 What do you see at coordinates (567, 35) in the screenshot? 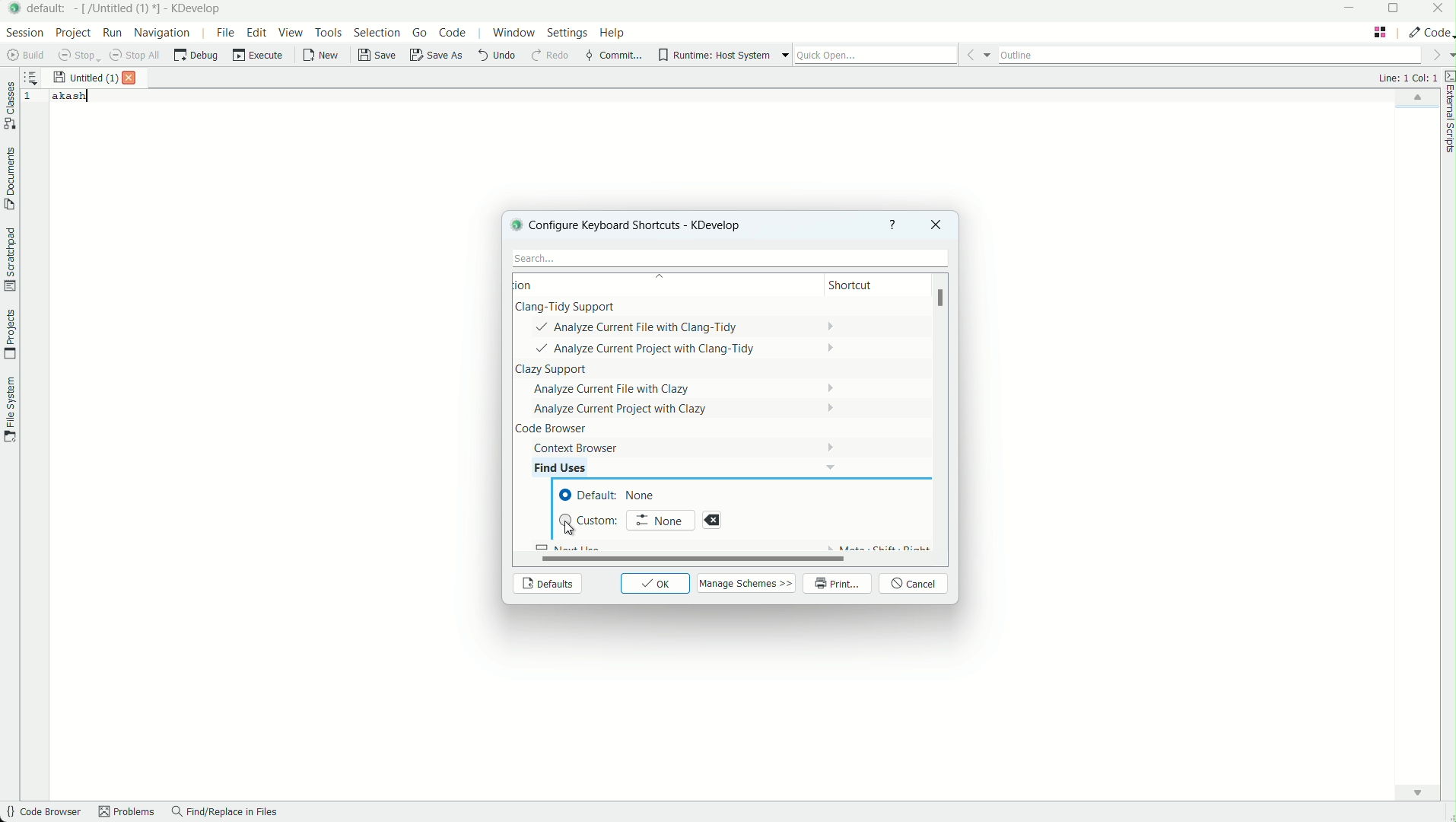
I see `settings menu` at bounding box center [567, 35].